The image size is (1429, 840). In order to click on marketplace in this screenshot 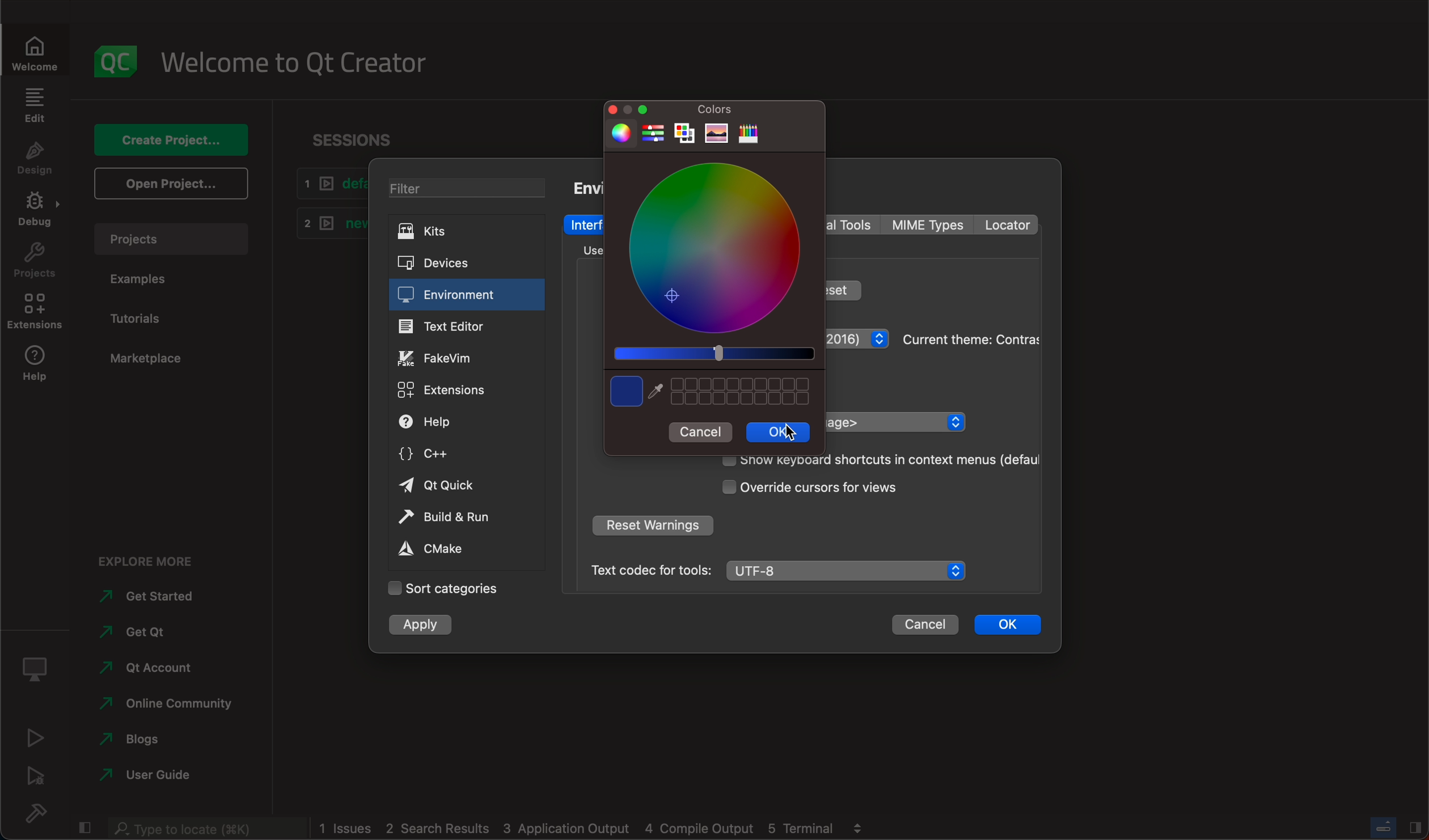, I will do `click(142, 356)`.